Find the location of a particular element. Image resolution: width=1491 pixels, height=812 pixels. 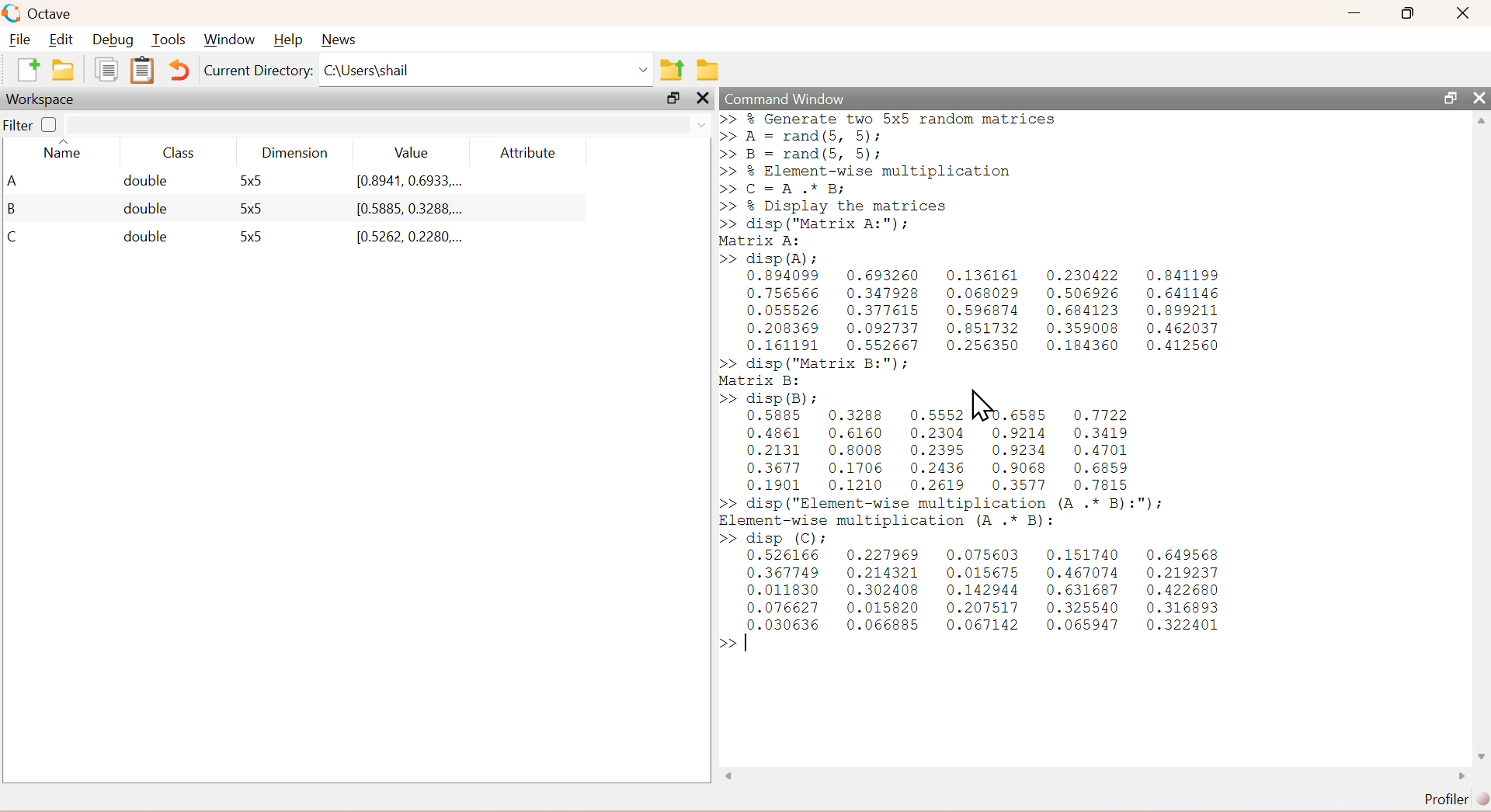

Workspace is located at coordinates (42, 101).